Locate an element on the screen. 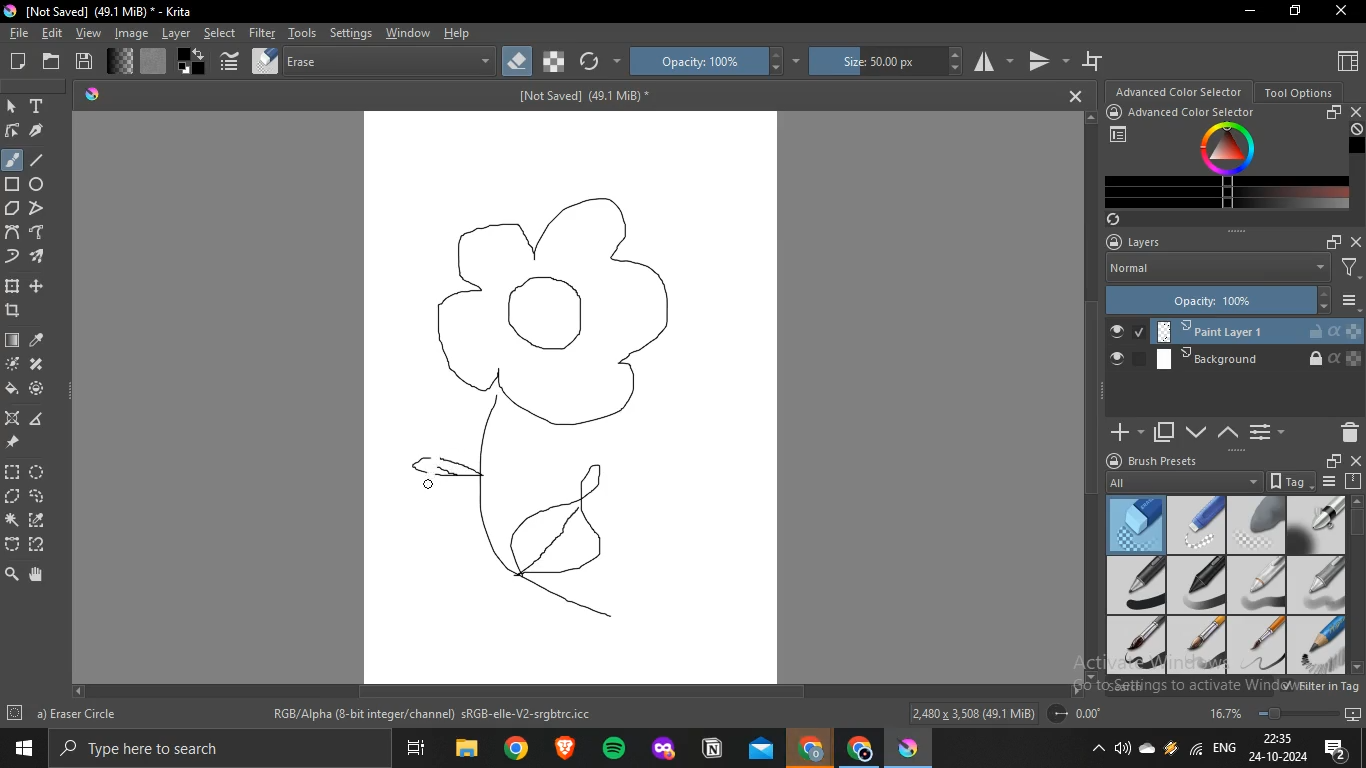 The width and height of the screenshot is (1366, 768). move a layer is located at coordinates (36, 288).